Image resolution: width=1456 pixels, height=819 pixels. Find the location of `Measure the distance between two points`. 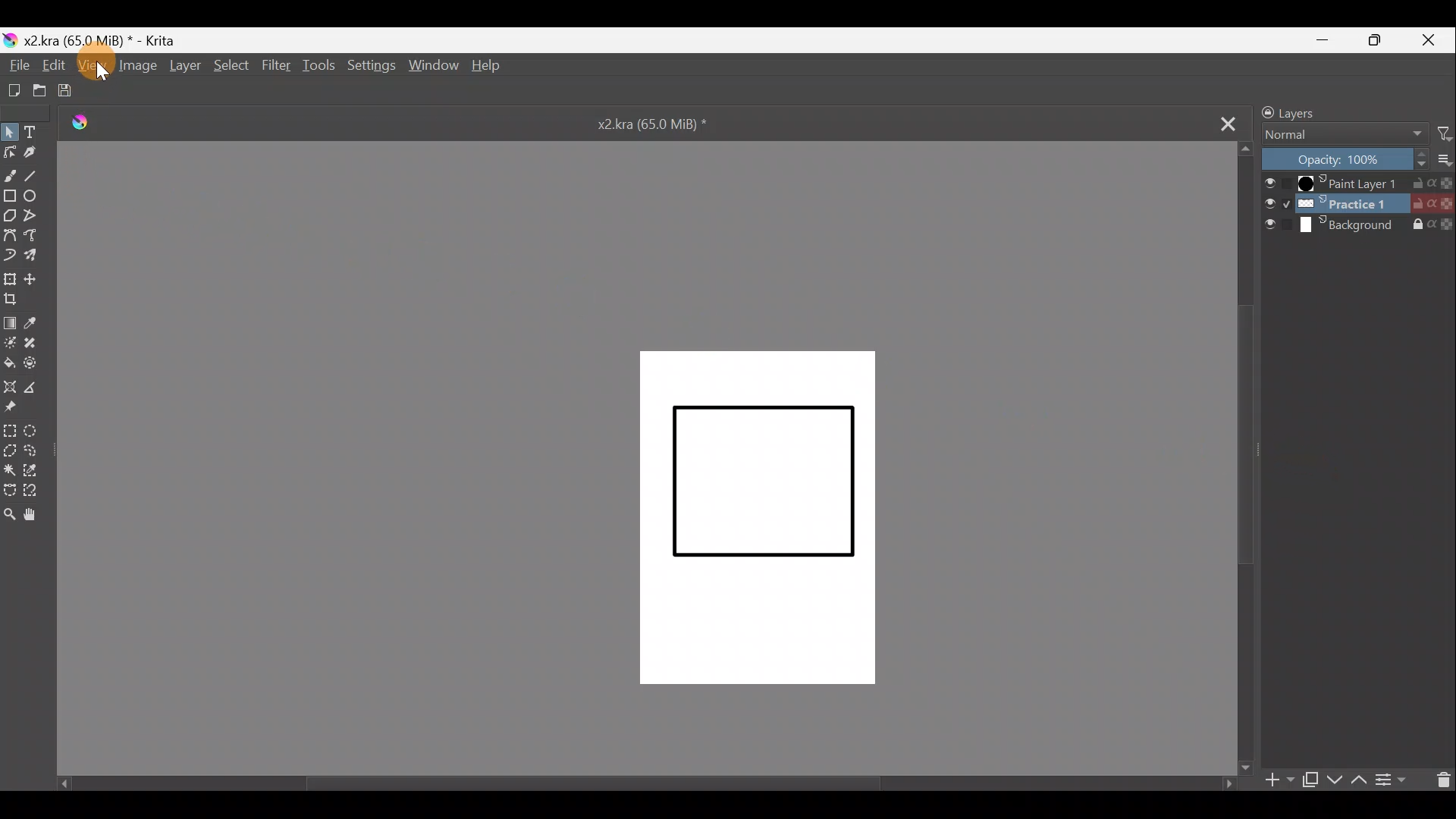

Measure the distance between two points is located at coordinates (37, 388).